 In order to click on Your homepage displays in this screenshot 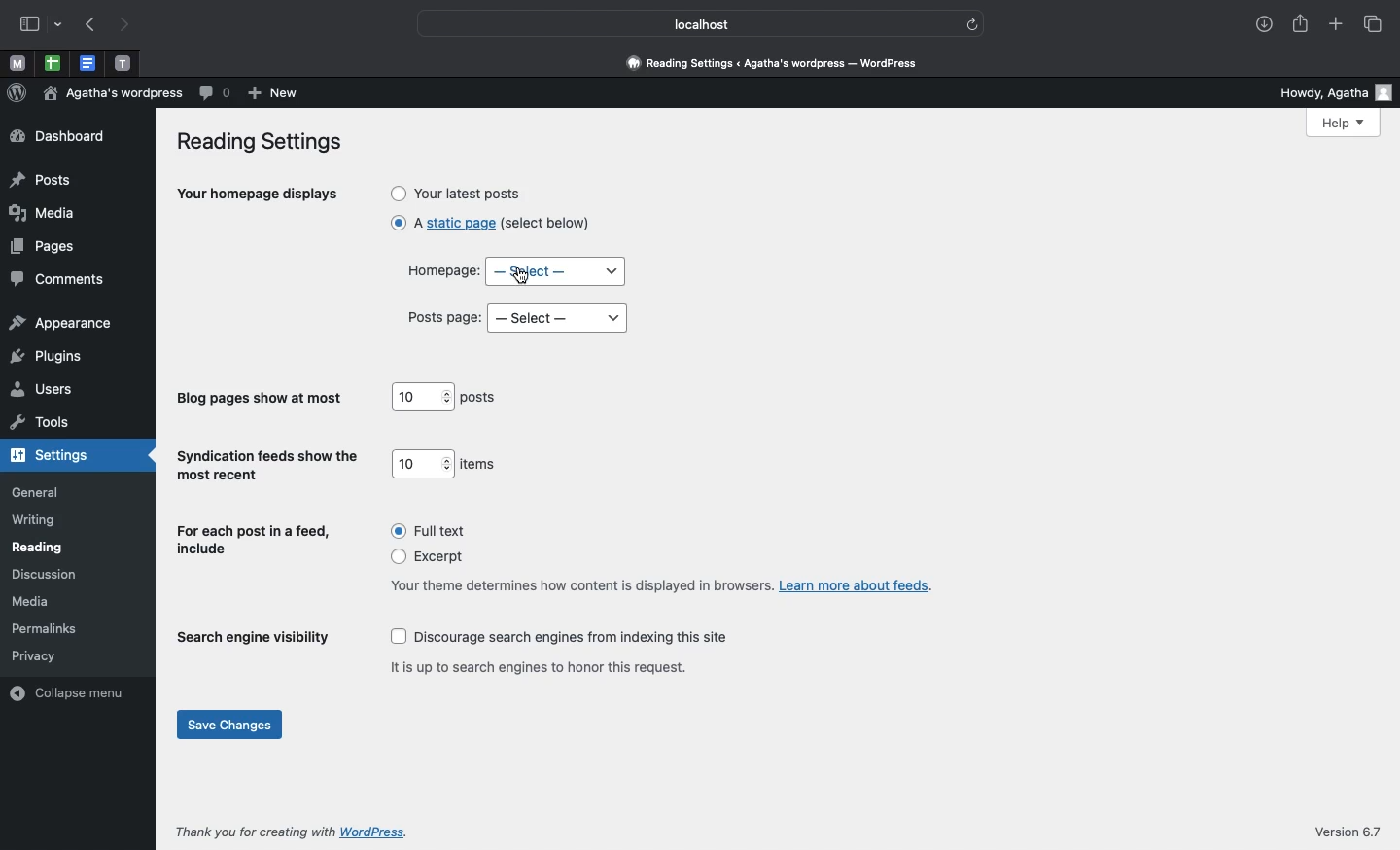, I will do `click(259, 196)`.